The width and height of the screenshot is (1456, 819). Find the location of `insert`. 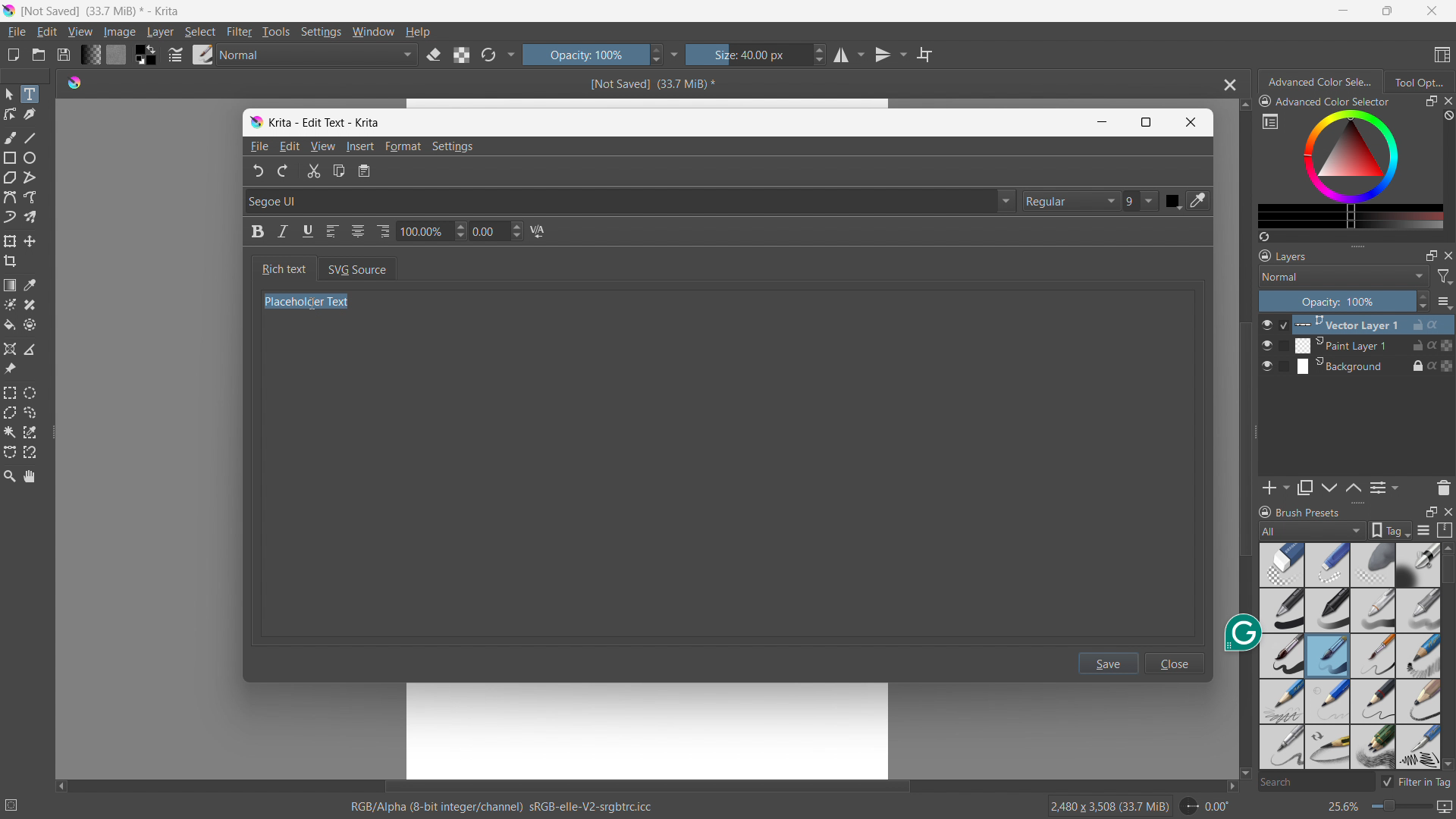

insert is located at coordinates (359, 146).